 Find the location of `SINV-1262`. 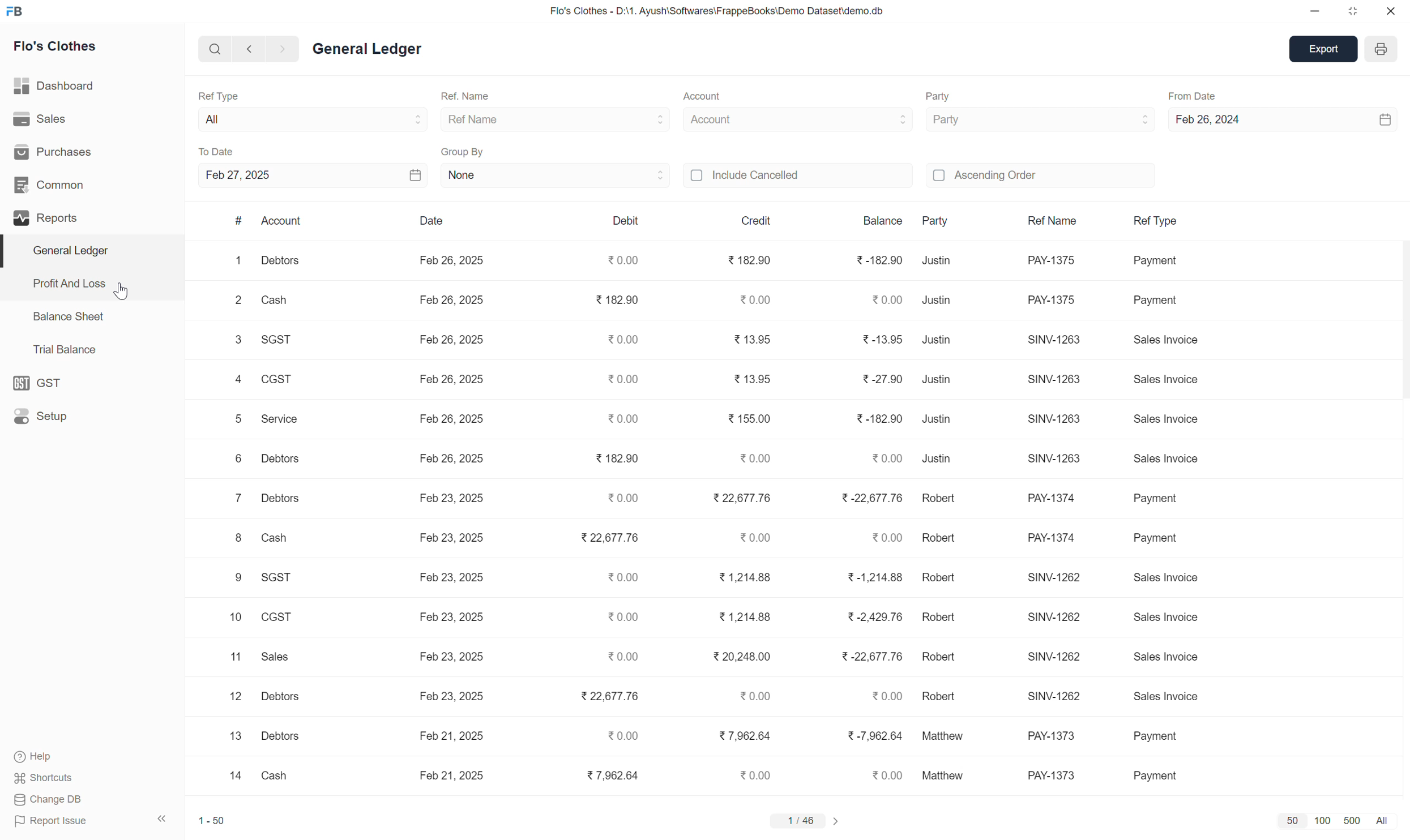

SINV-1262 is located at coordinates (1054, 697).